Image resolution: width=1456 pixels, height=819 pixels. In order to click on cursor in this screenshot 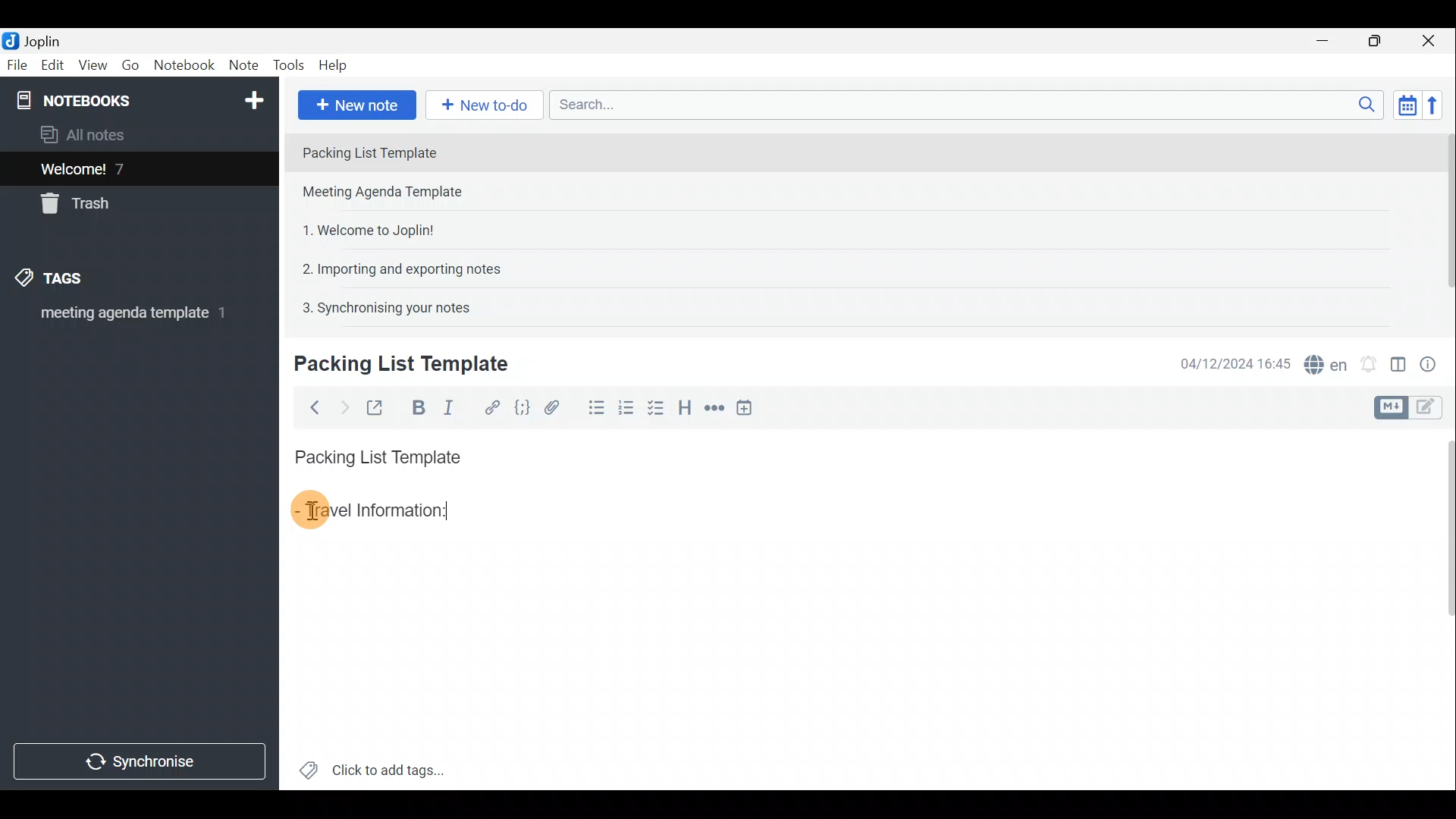, I will do `click(310, 511)`.